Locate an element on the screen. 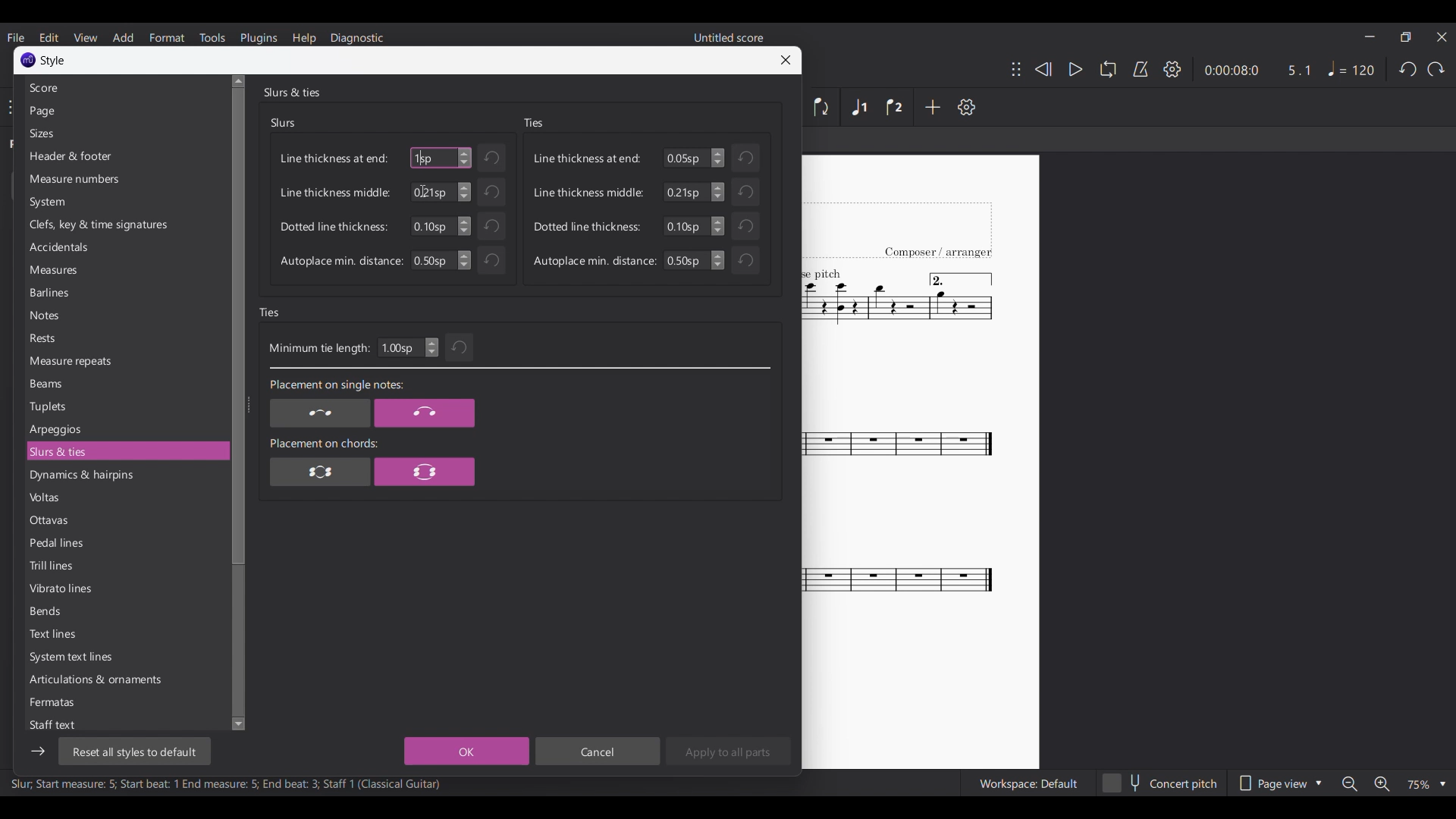 This screenshot has height=819, width=1456. Input minimum tie length is located at coordinates (400, 347).